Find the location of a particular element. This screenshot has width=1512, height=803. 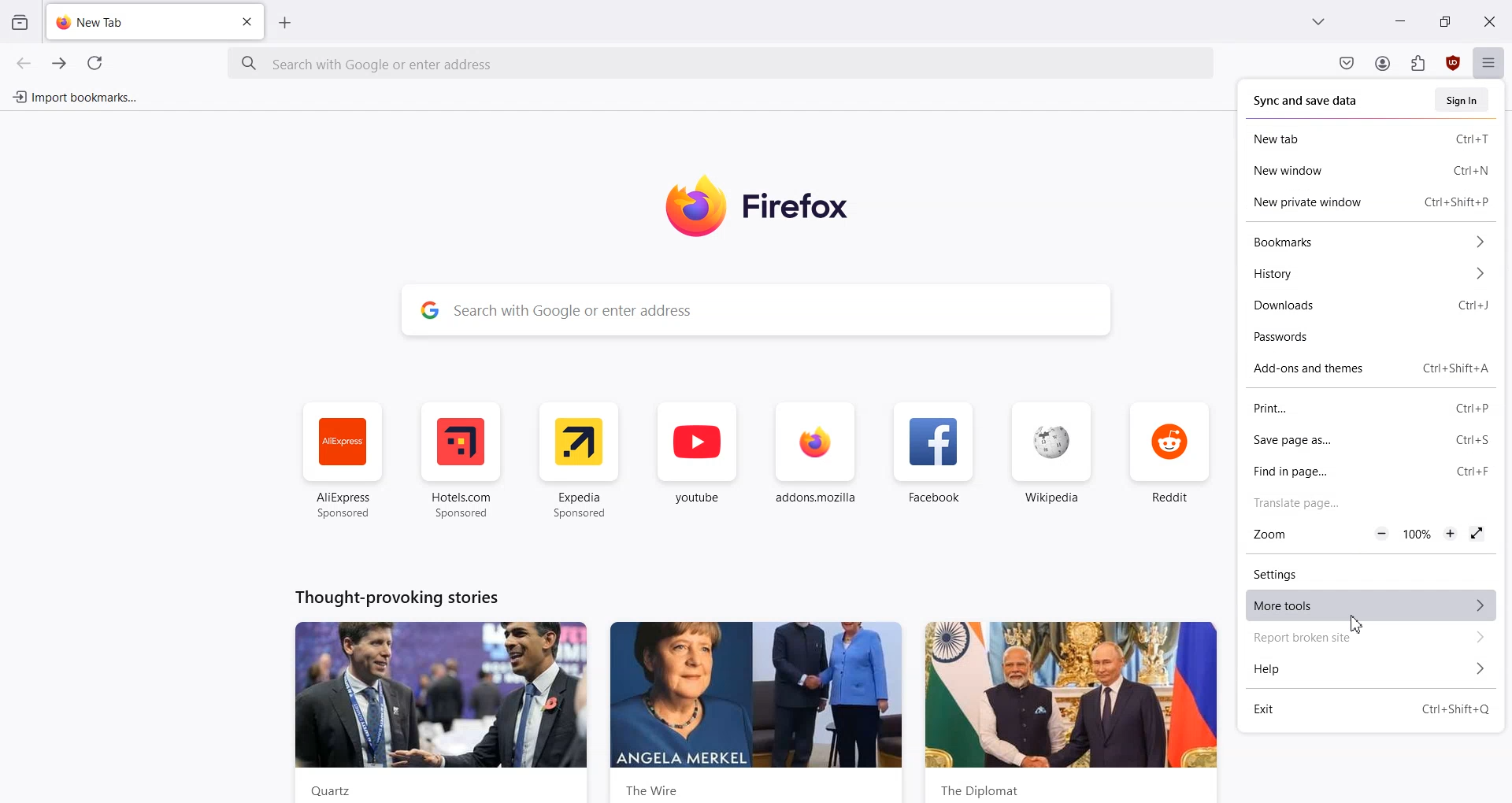

Text is located at coordinates (397, 596).